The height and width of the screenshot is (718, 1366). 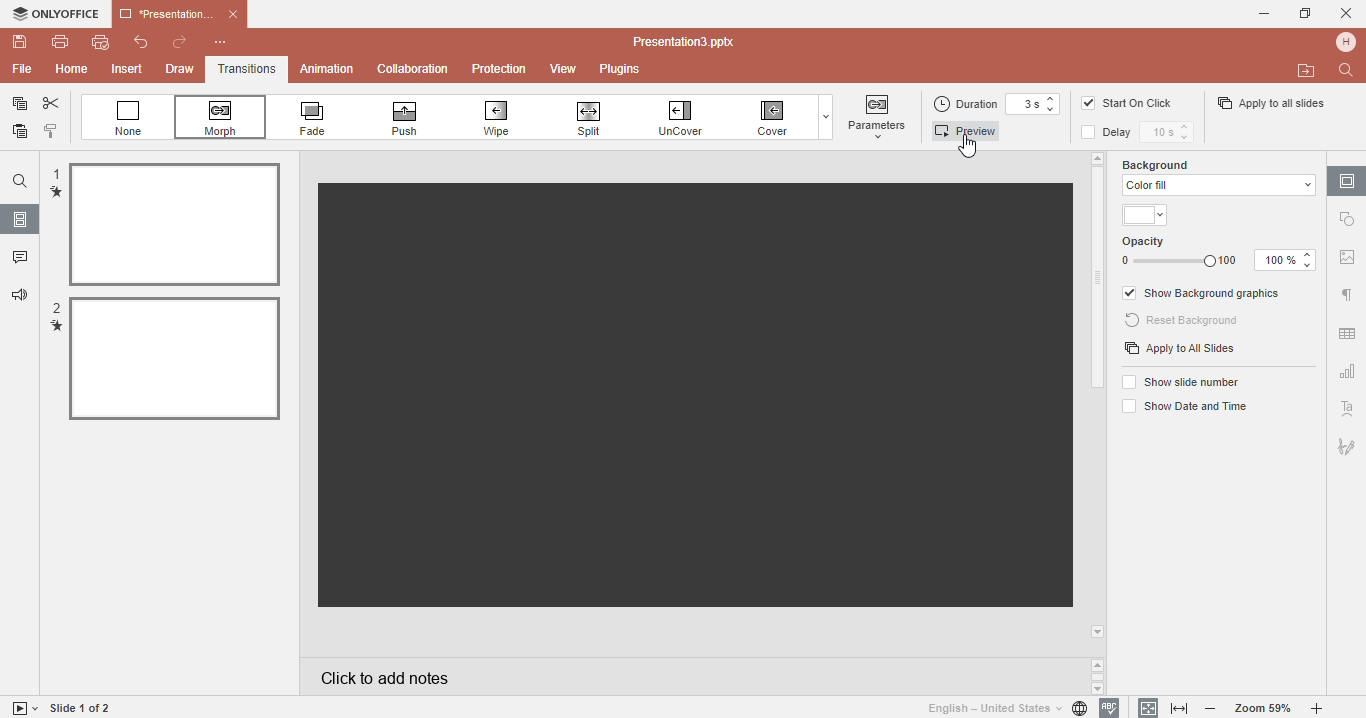 What do you see at coordinates (566, 70) in the screenshot?
I see `View` at bounding box center [566, 70].